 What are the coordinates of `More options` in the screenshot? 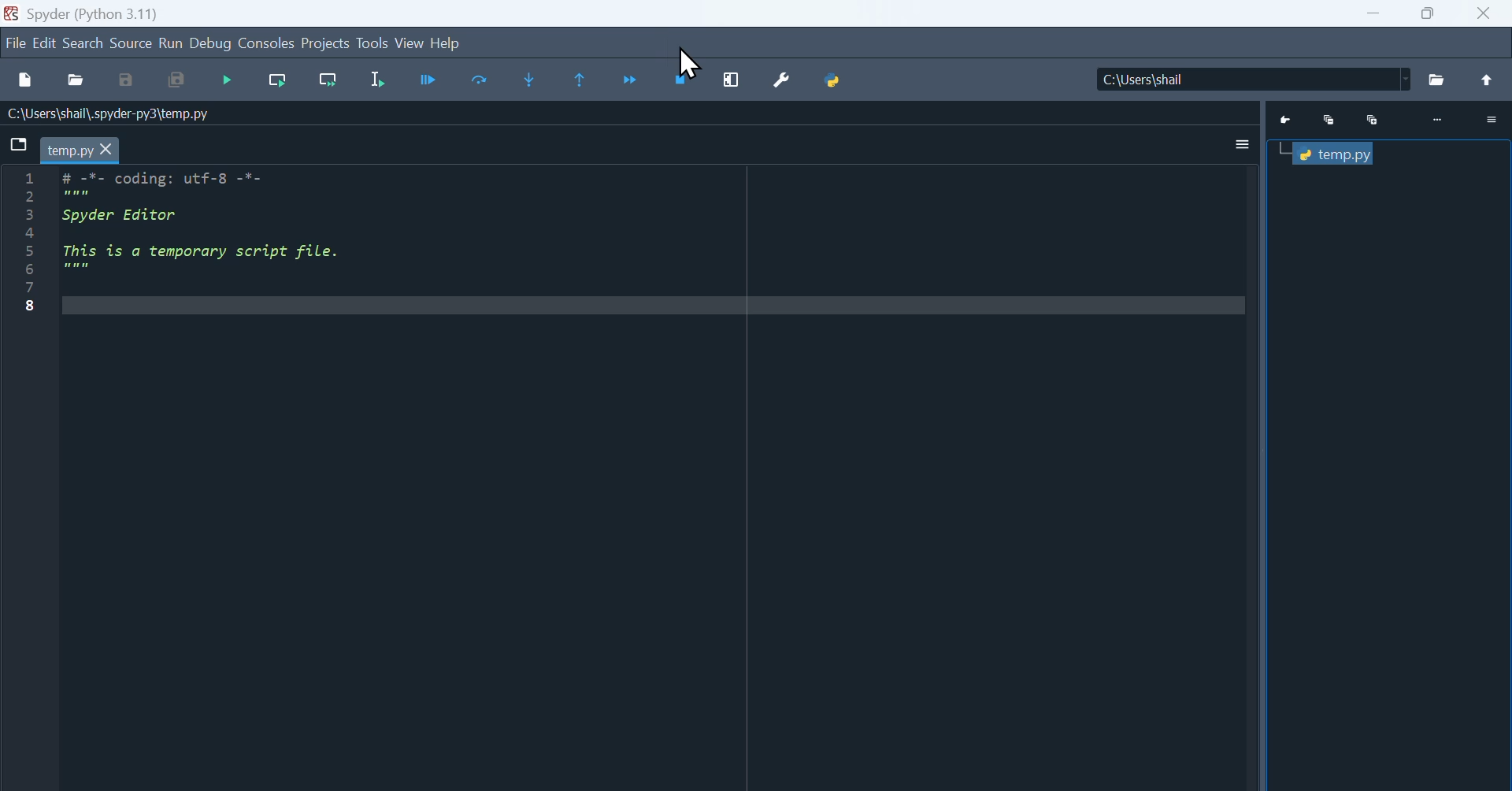 It's located at (1488, 119).